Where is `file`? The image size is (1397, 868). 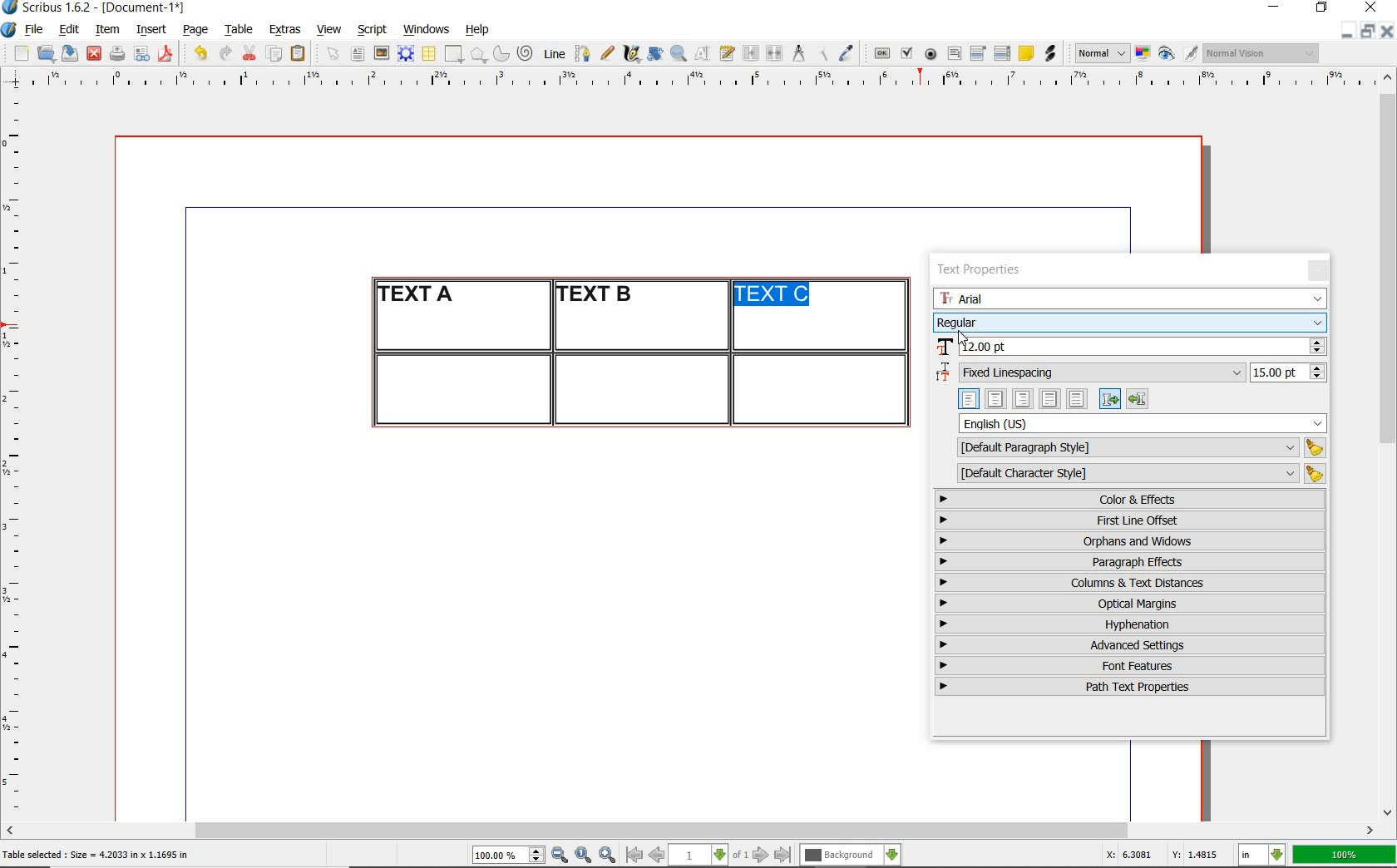
file is located at coordinates (36, 30).